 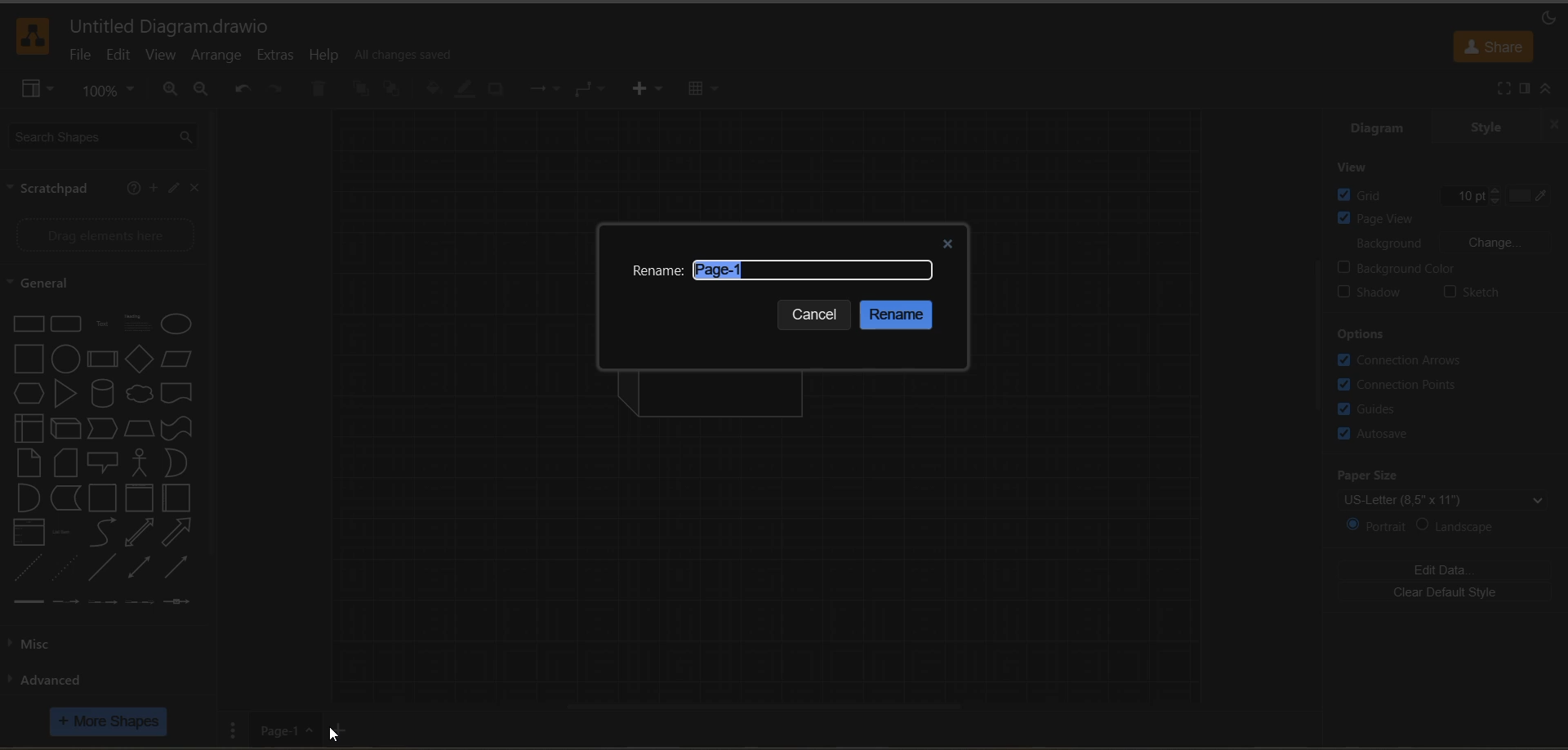 What do you see at coordinates (1454, 247) in the screenshot?
I see `background` at bounding box center [1454, 247].